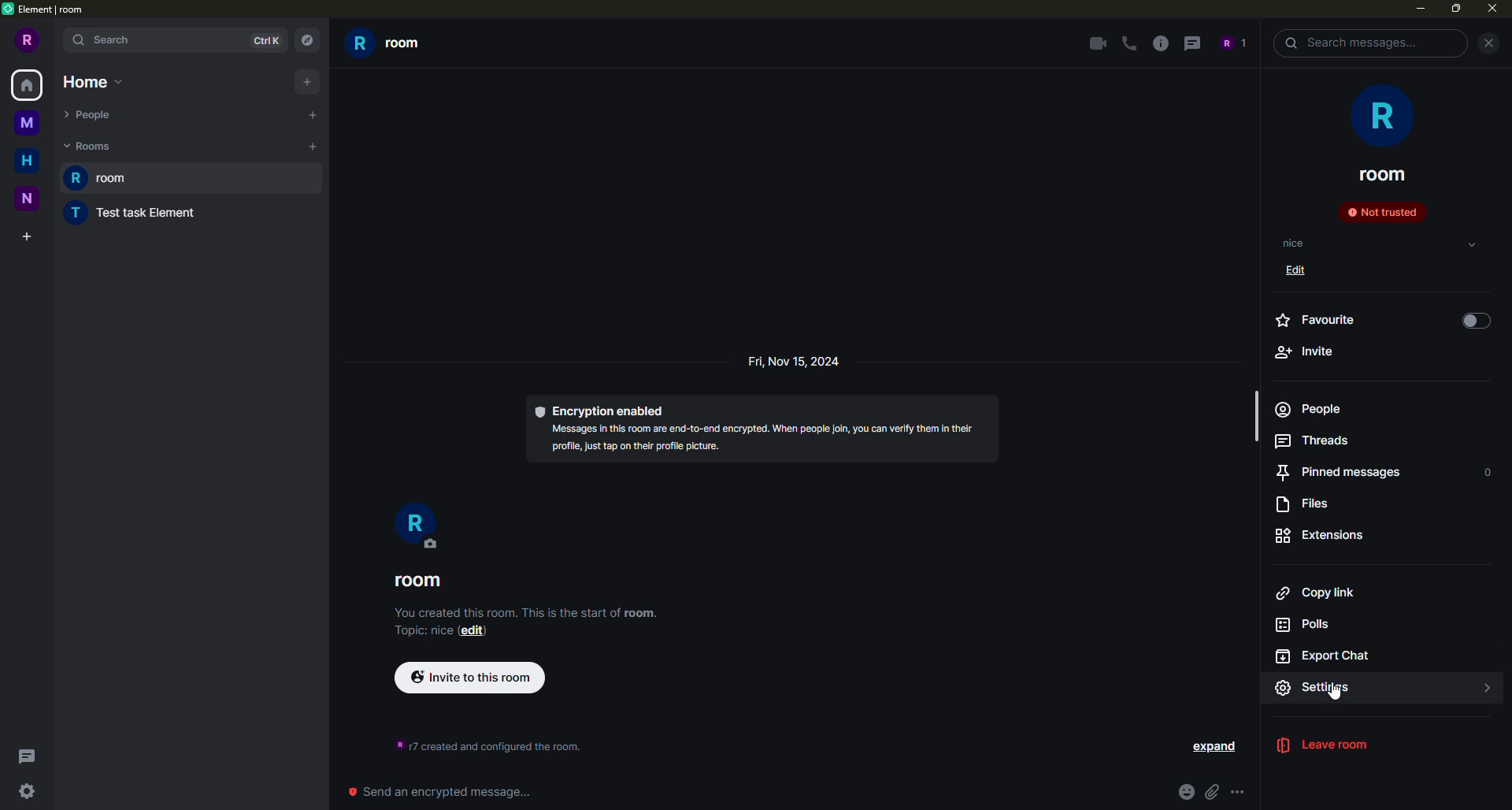 This screenshot has height=810, width=1512. Describe the element at coordinates (1420, 12) in the screenshot. I see `minimize` at that location.